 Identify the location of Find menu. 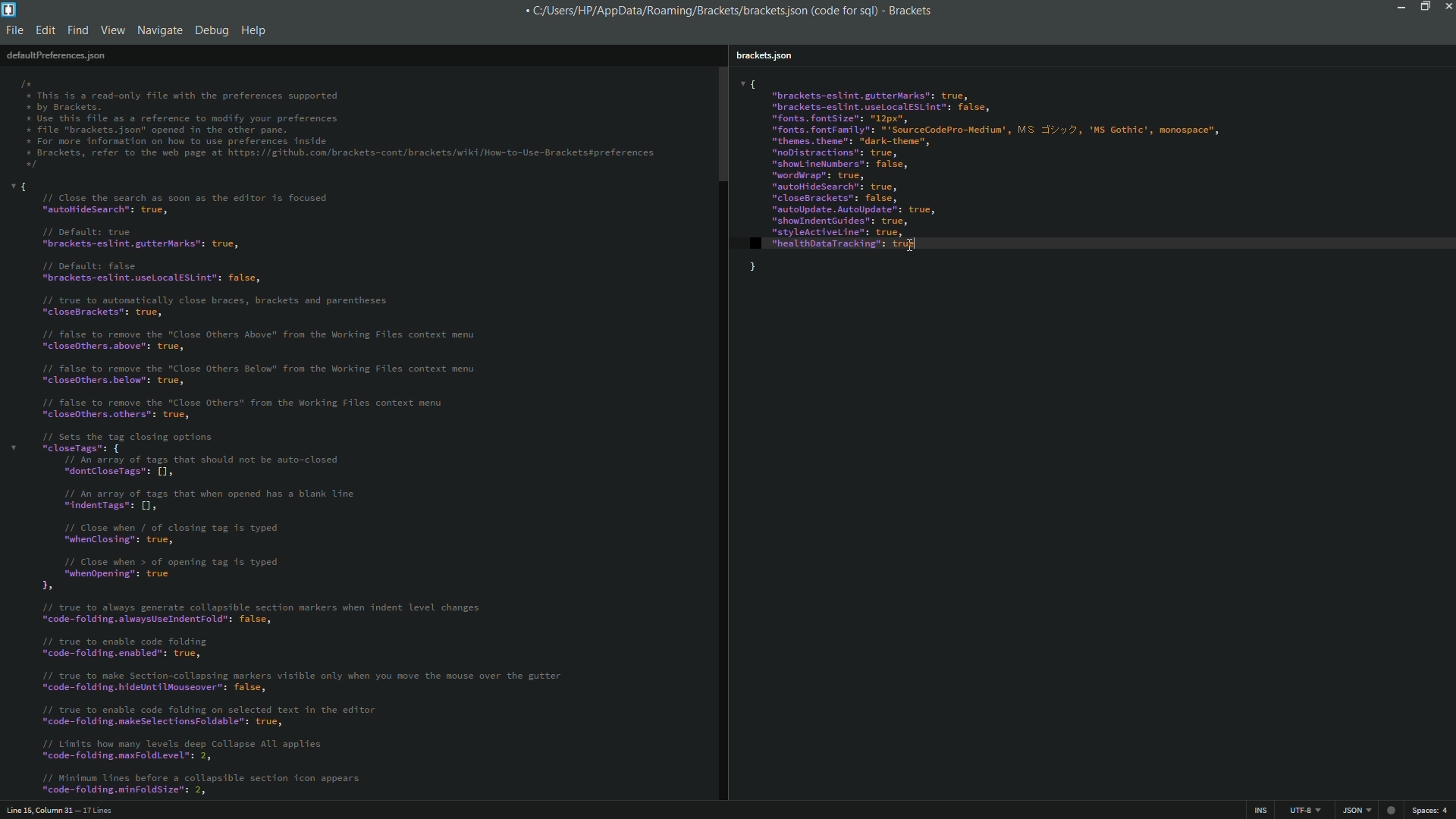
(77, 31).